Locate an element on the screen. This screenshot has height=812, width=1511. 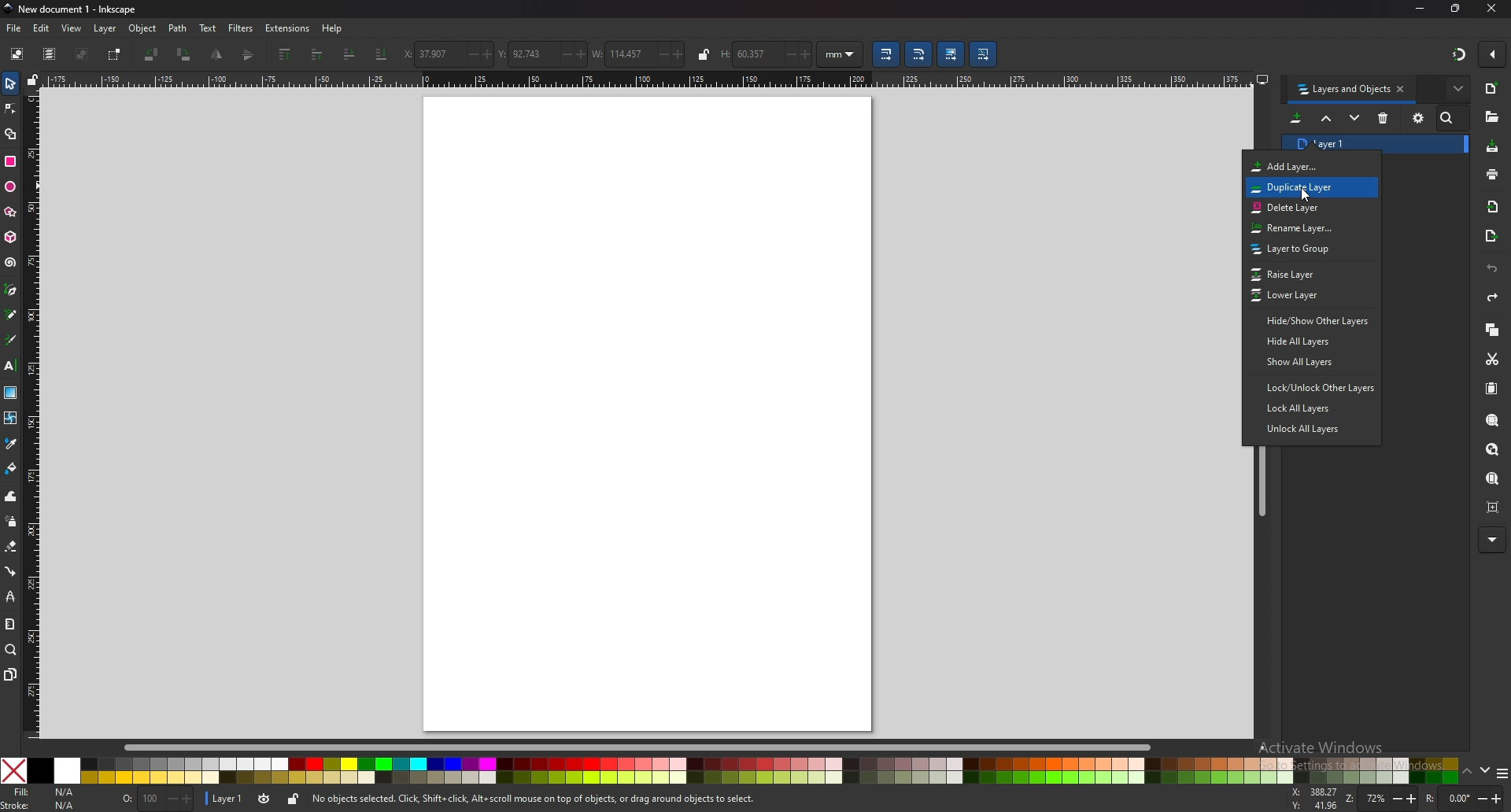
raise to top is located at coordinates (286, 54).